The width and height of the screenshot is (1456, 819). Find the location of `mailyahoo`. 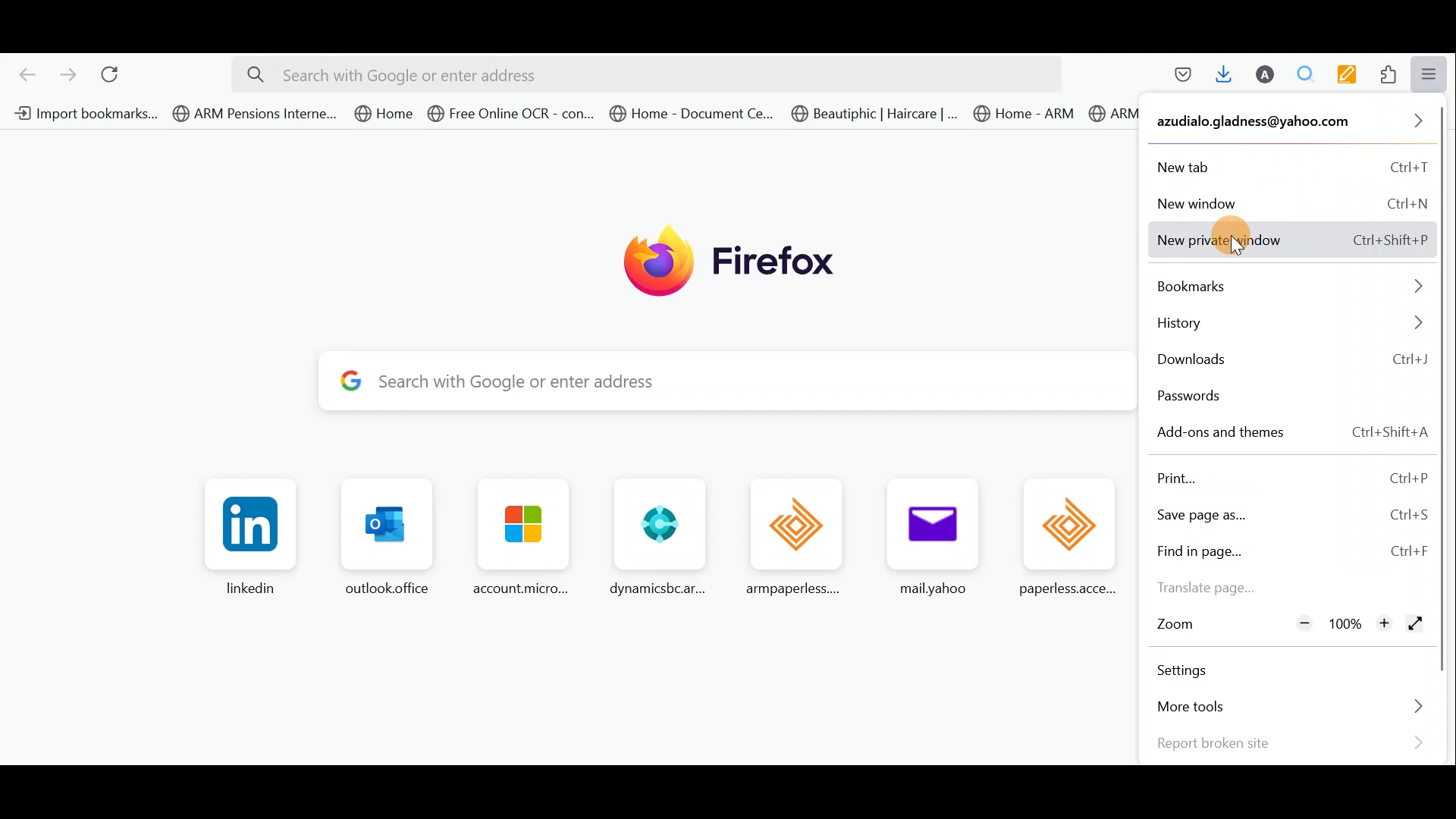

mailyahoo is located at coordinates (924, 540).